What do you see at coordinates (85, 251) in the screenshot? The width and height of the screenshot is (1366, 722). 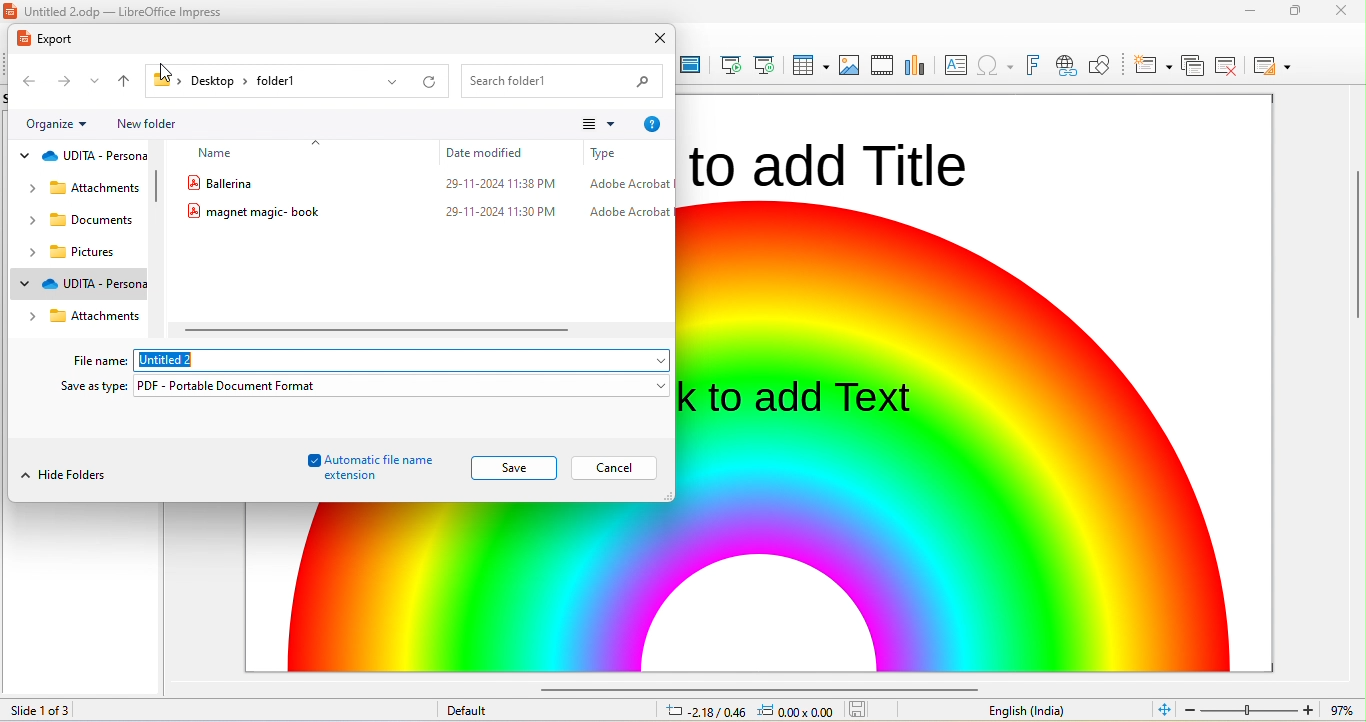 I see `pictures` at bounding box center [85, 251].